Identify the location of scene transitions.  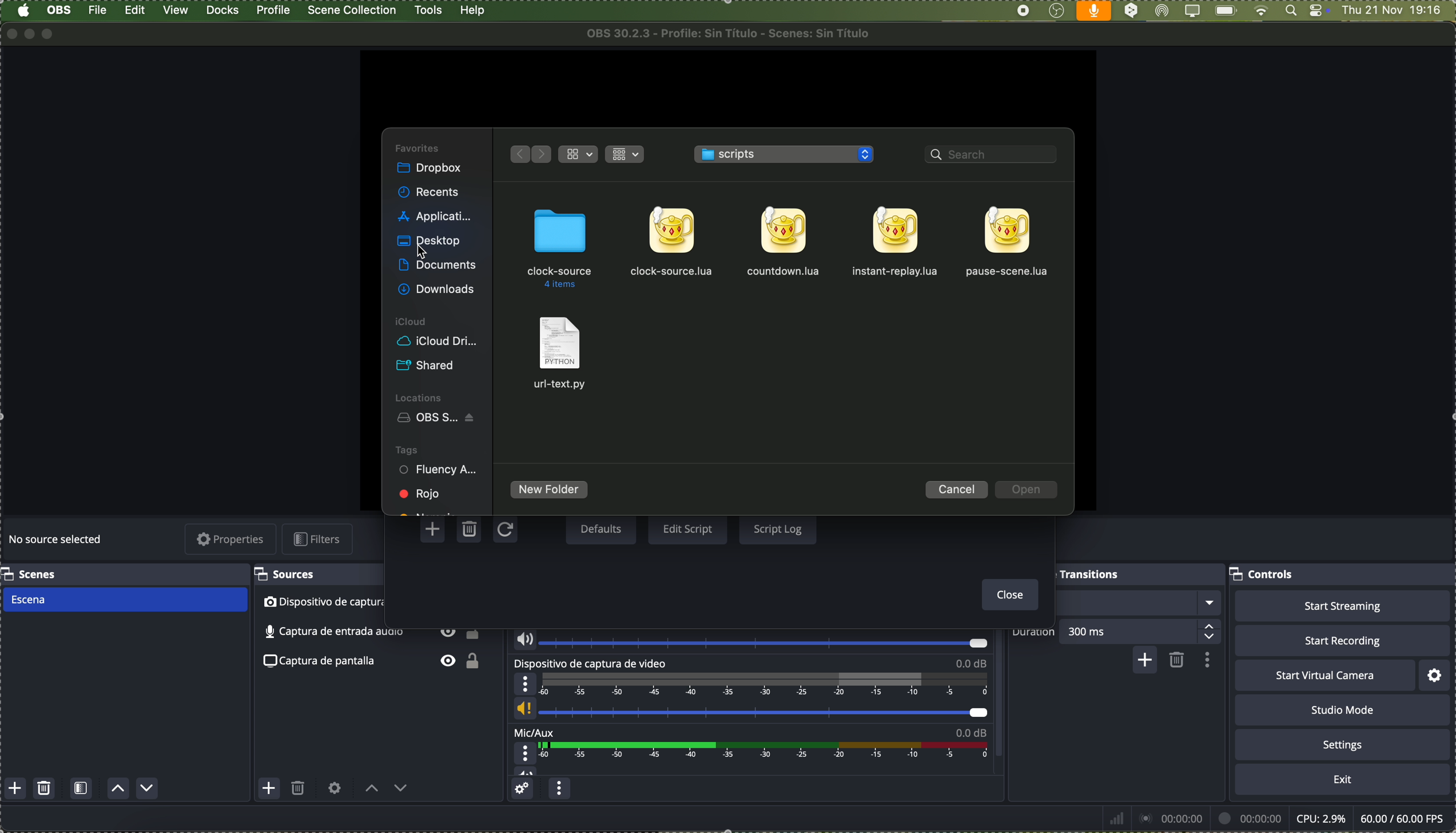
(1067, 573).